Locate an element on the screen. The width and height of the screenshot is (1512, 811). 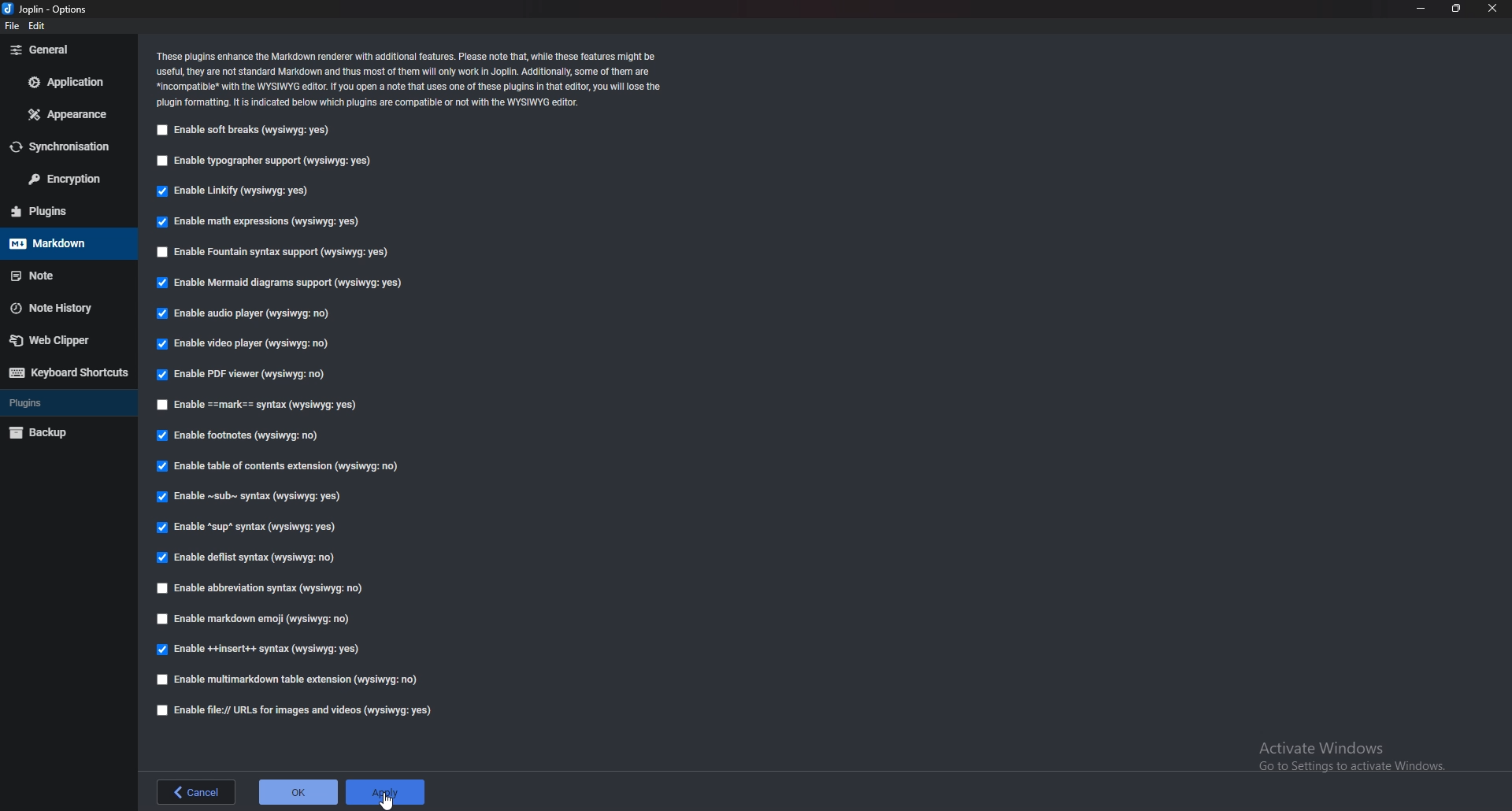
Cursor is located at coordinates (387, 799).